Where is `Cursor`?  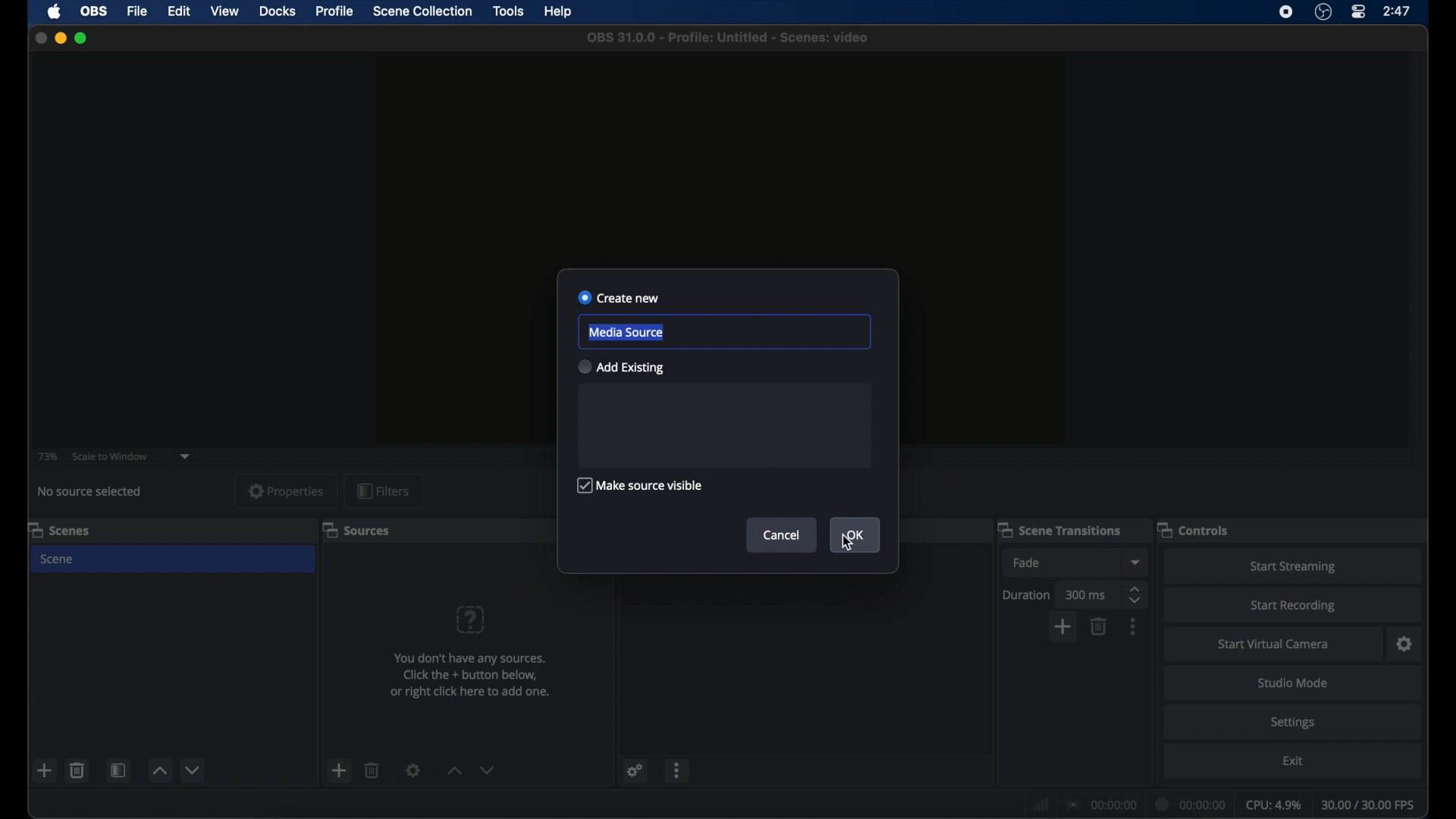
Cursor is located at coordinates (849, 547).